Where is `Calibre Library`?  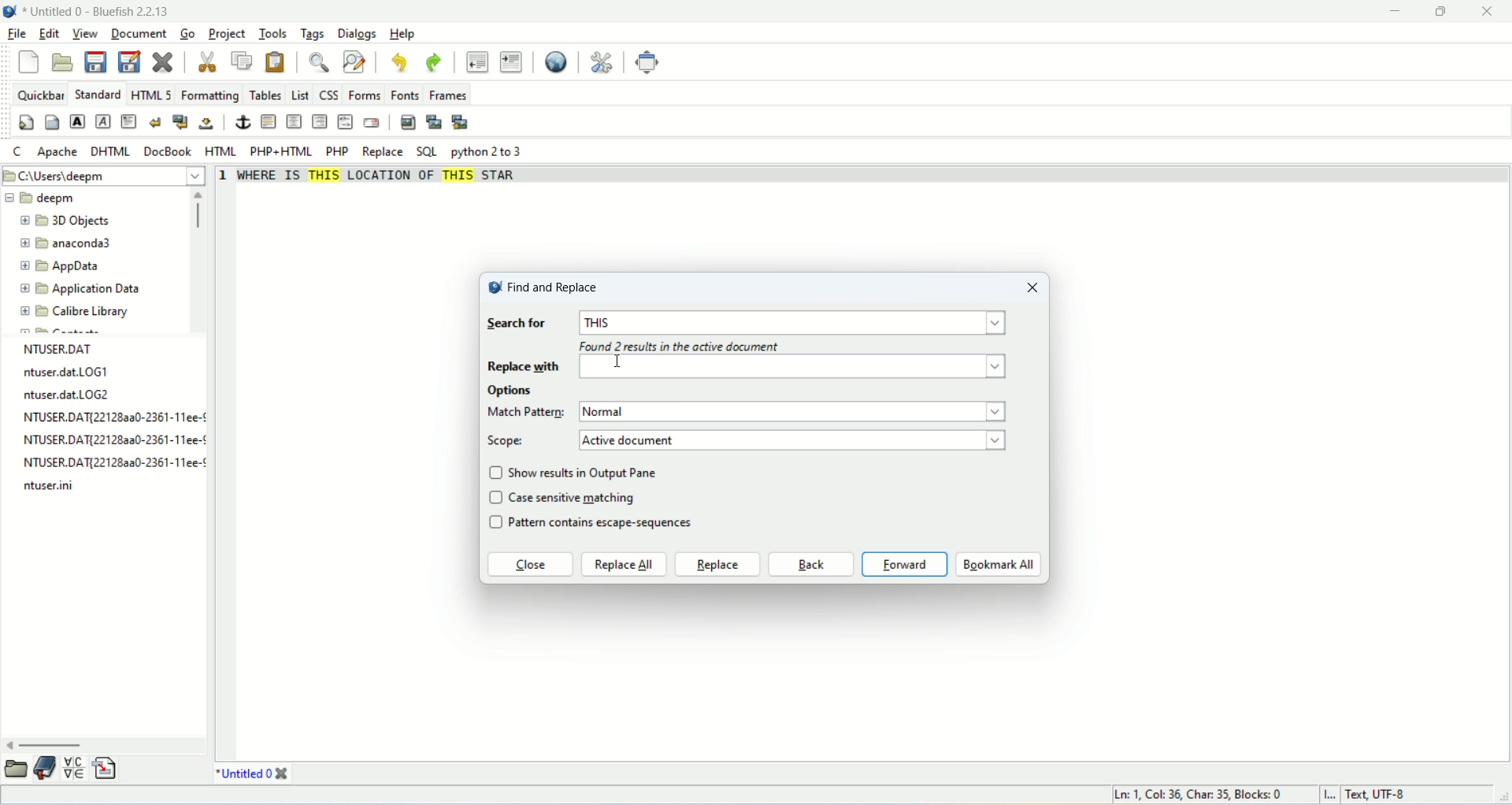 Calibre Library is located at coordinates (75, 310).